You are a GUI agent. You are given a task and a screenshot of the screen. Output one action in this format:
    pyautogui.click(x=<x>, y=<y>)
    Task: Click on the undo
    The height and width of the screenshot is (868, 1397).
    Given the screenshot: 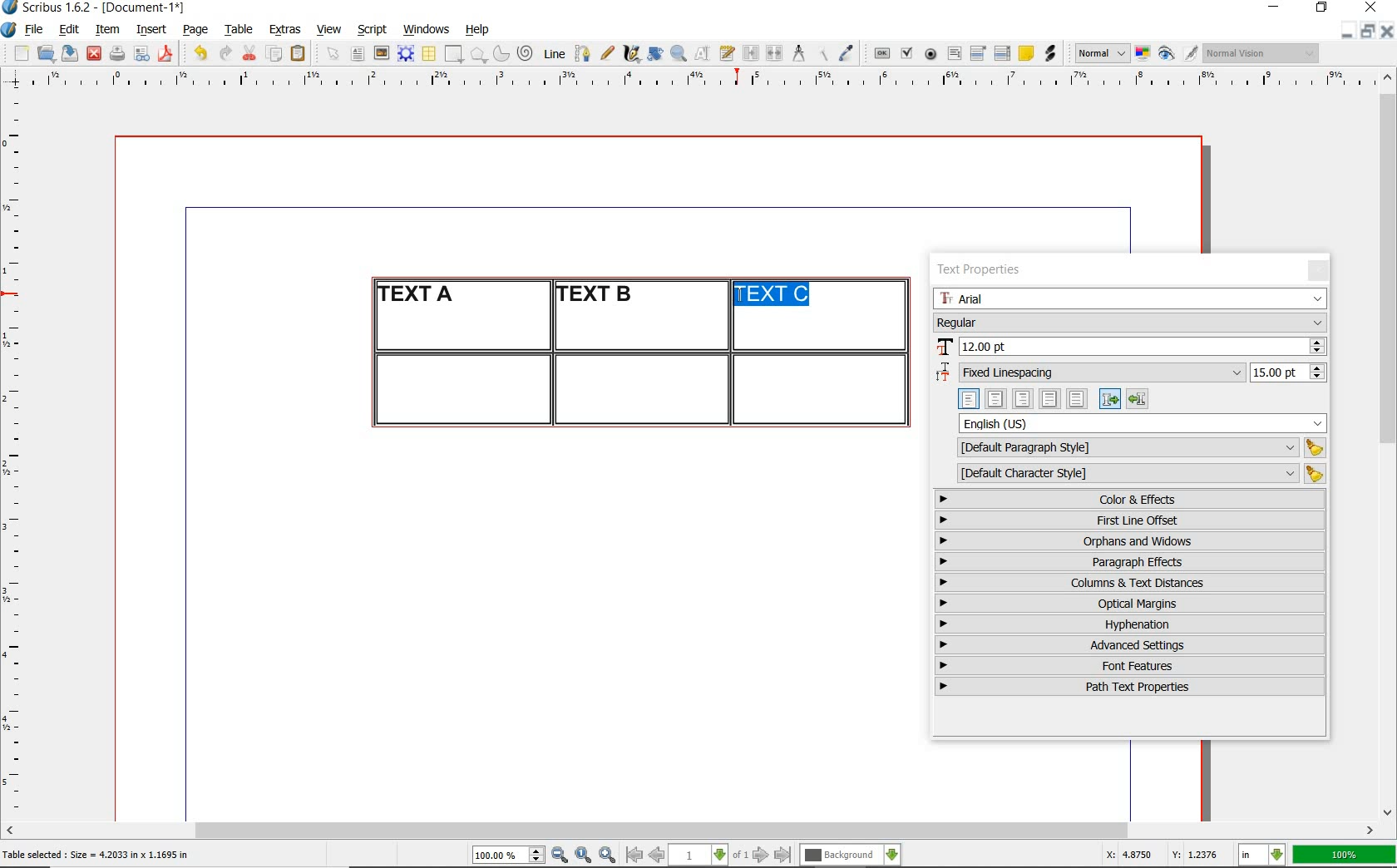 What is the action you would take?
    pyautogui.click(x=200, y=53)
    